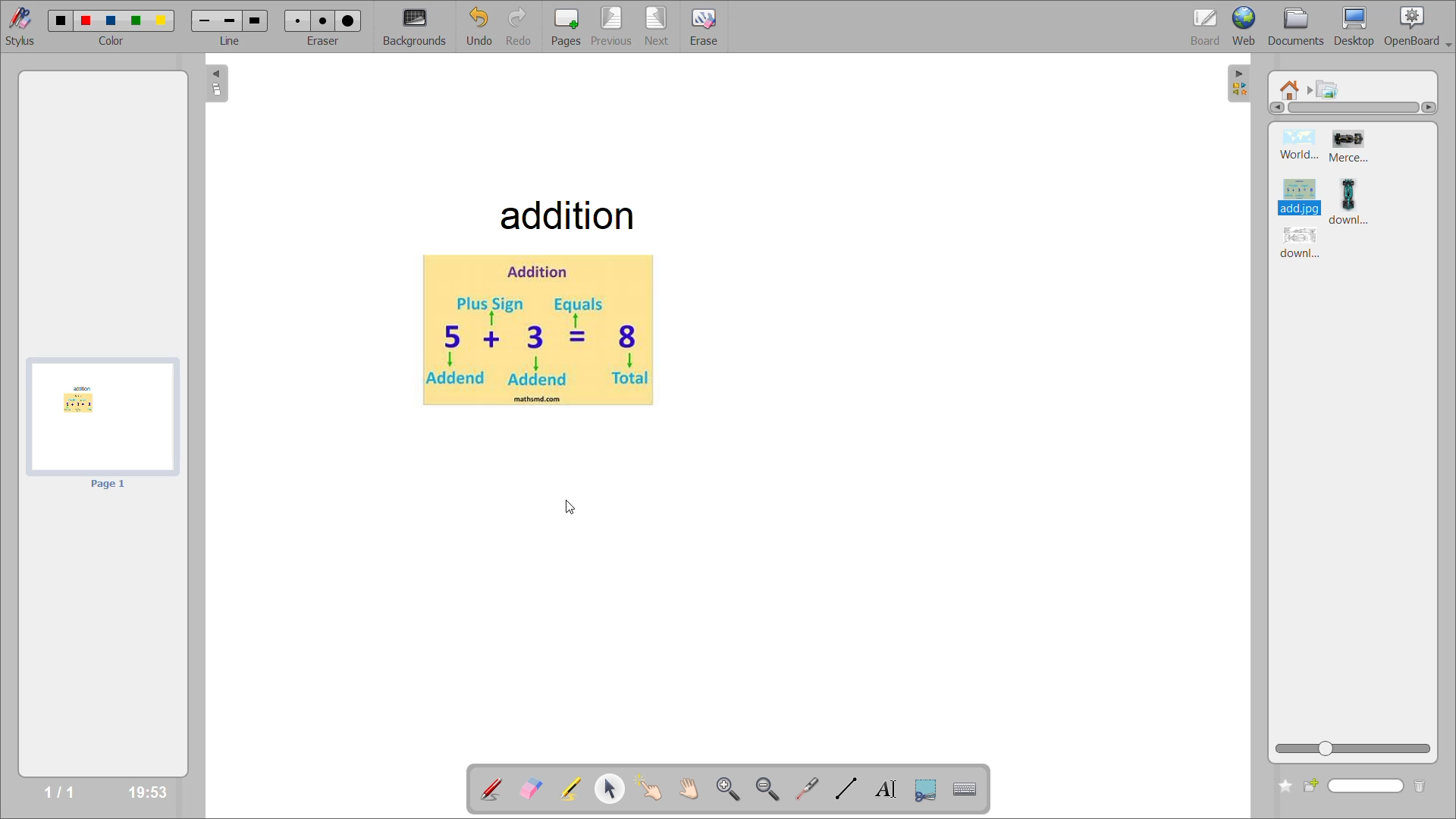 The height and width of the screenshot is (819, 1456). I want to click on add folder, so click(1281, 787).